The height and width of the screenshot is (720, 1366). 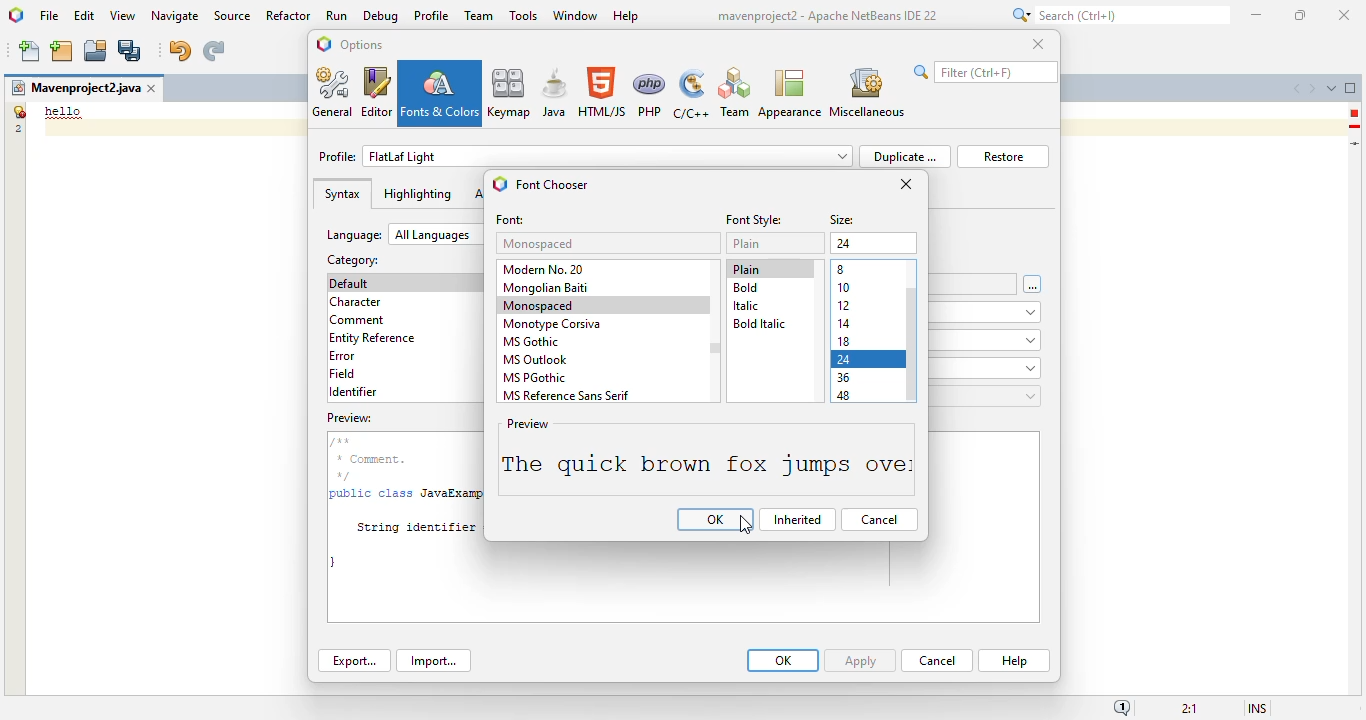 I want to click on character, so click(x=355, y=302).